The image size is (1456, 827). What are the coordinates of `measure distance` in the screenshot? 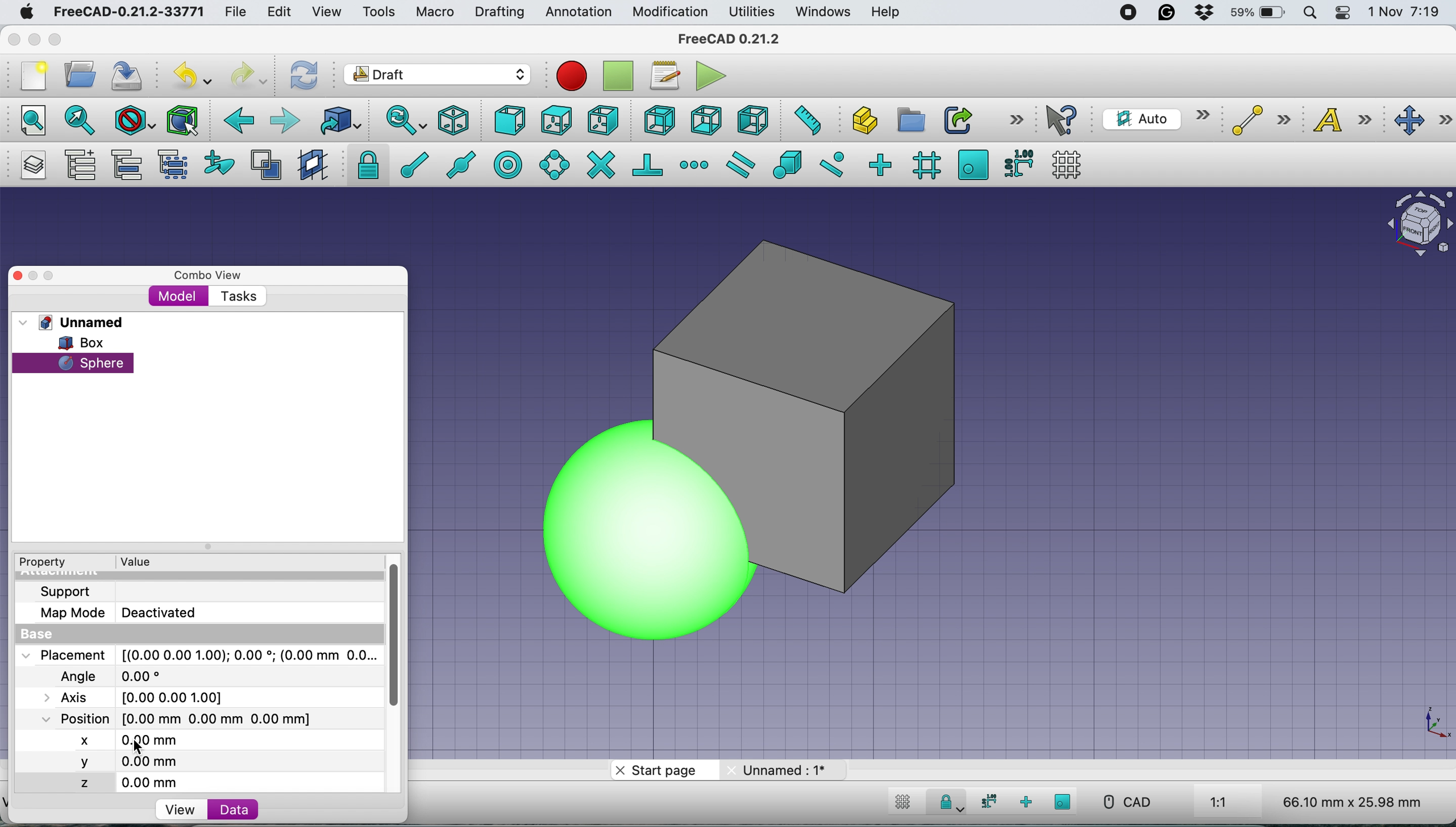 It's located at (804, 119).